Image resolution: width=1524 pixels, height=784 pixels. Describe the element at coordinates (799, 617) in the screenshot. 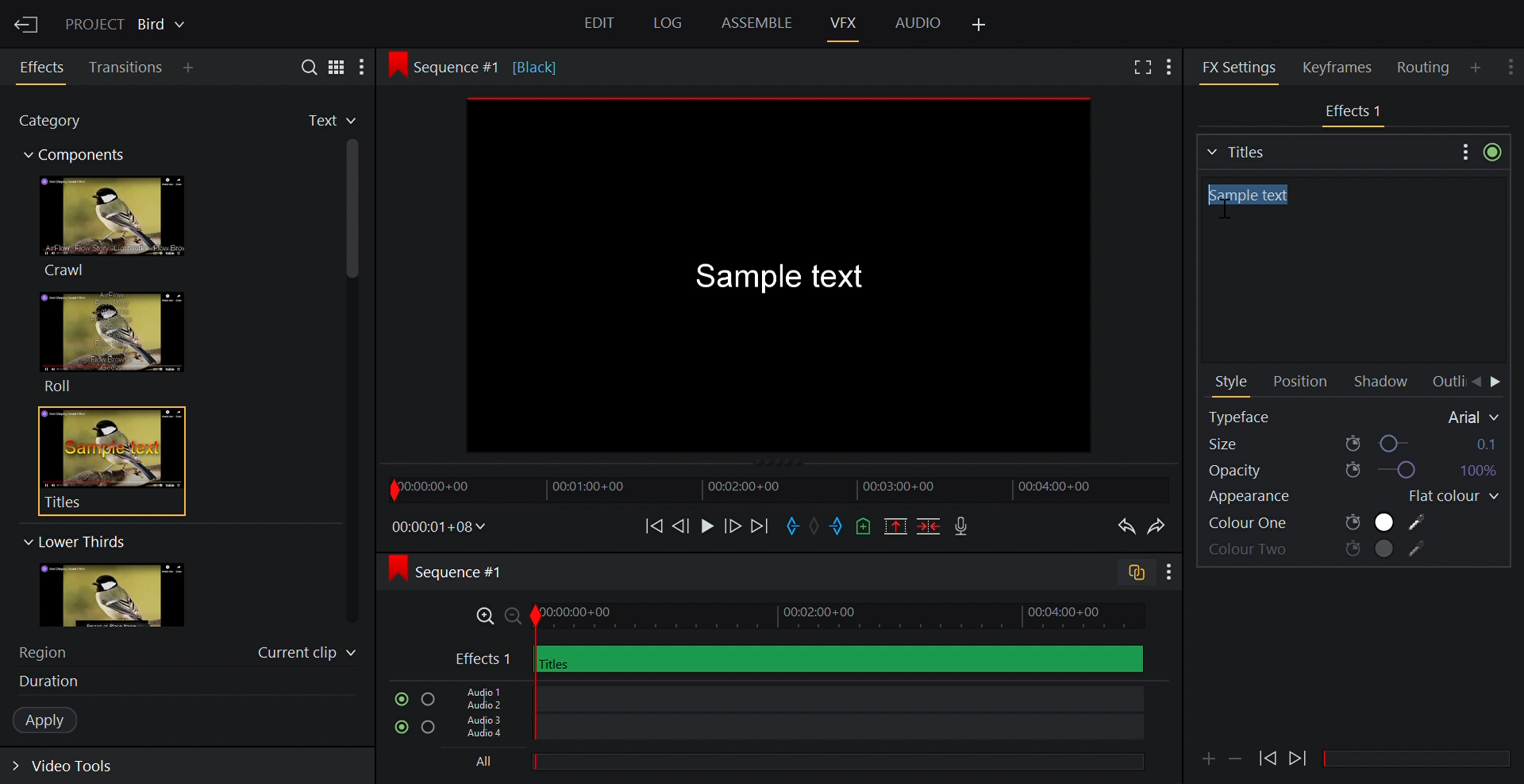

I see `Zoom Timeline` at that location.